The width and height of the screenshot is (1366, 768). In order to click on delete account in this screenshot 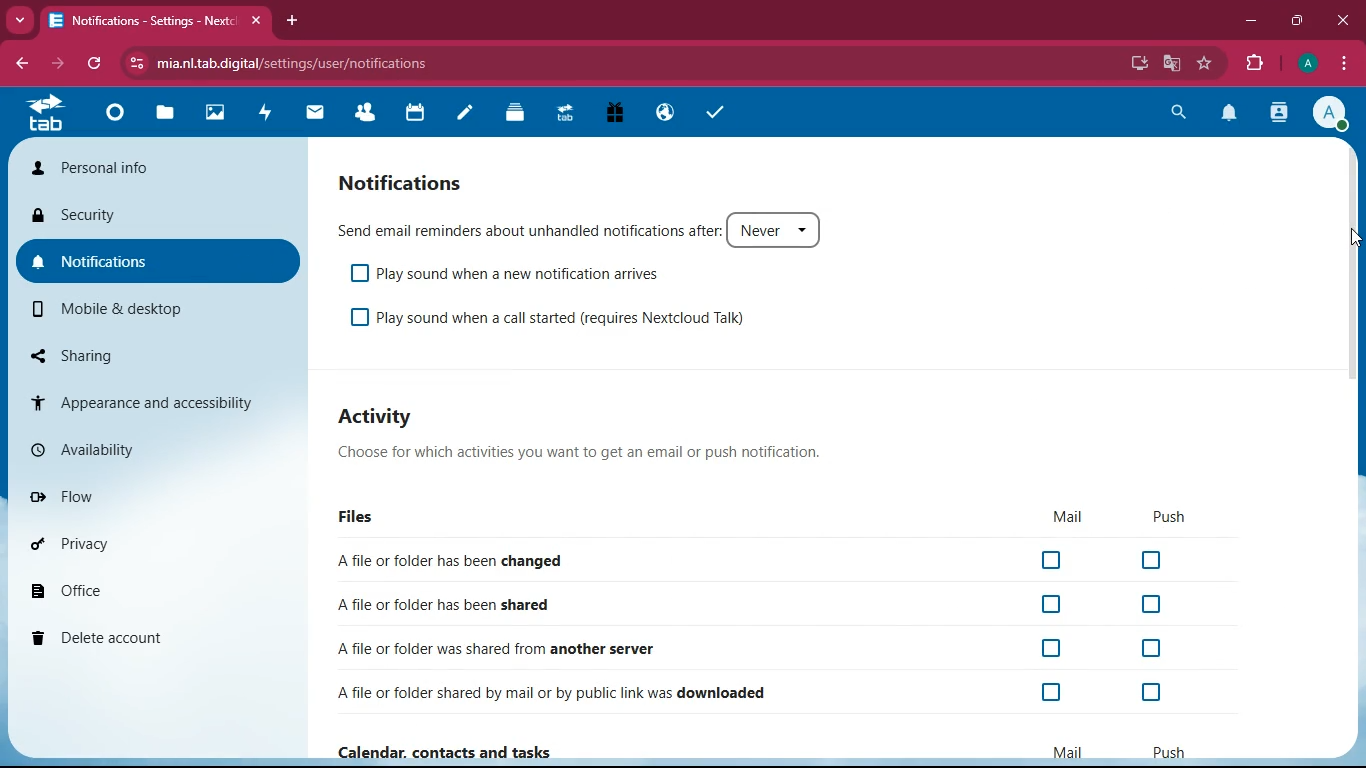, I will do `click(151, 637)`.